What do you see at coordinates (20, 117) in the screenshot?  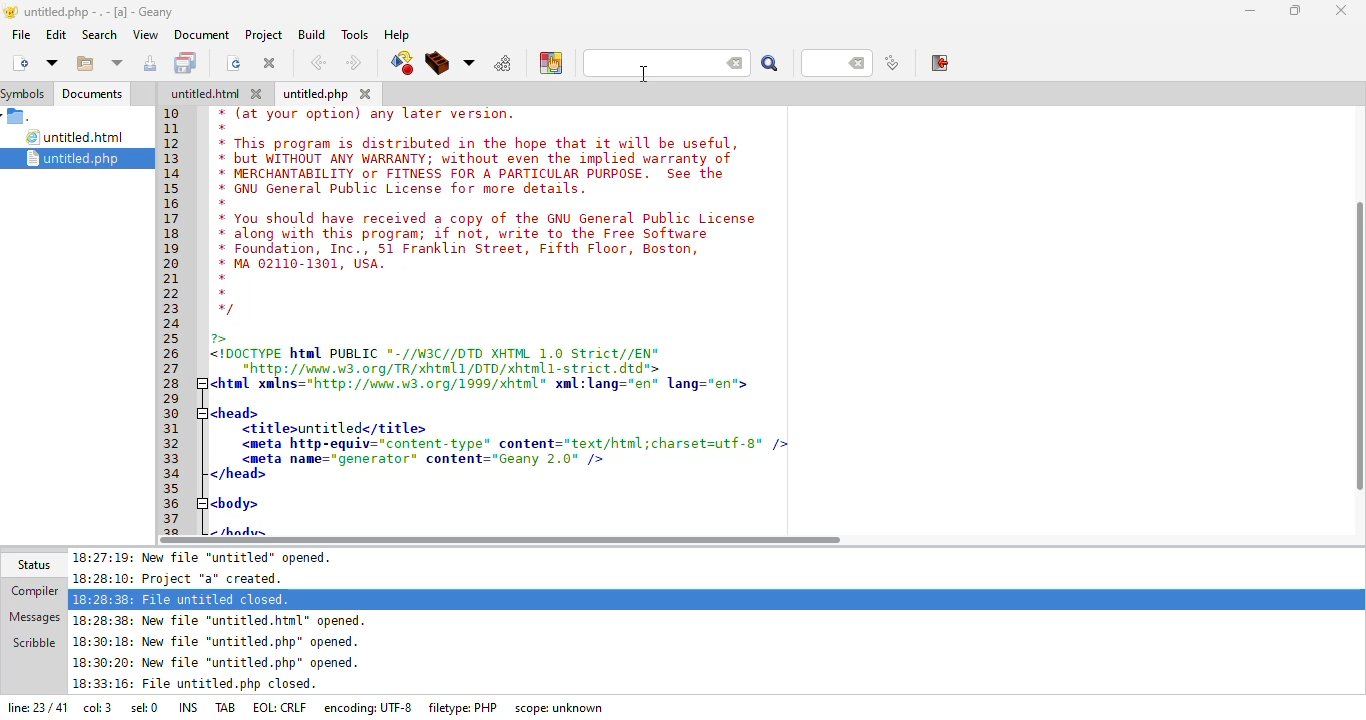 I see `File` at bounding box center [20, 117].